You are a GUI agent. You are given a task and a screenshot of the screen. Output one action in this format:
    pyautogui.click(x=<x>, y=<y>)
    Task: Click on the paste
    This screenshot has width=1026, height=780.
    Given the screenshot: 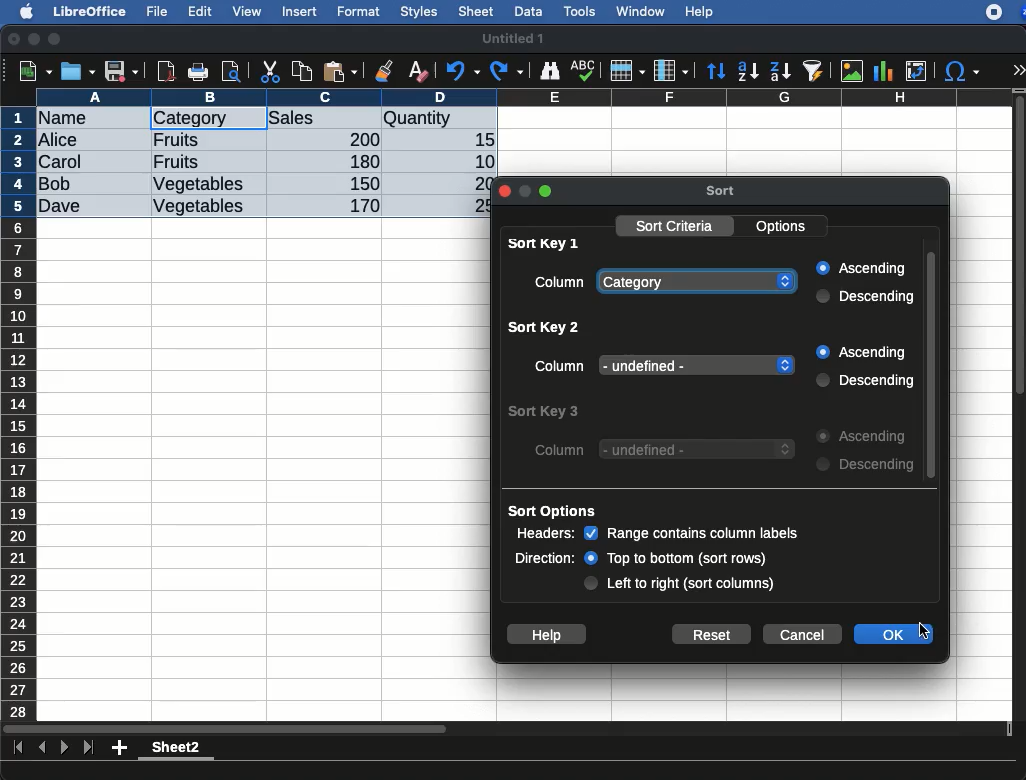 What is the action you would take?
    pyautogui.click(x=339, y=71)
    